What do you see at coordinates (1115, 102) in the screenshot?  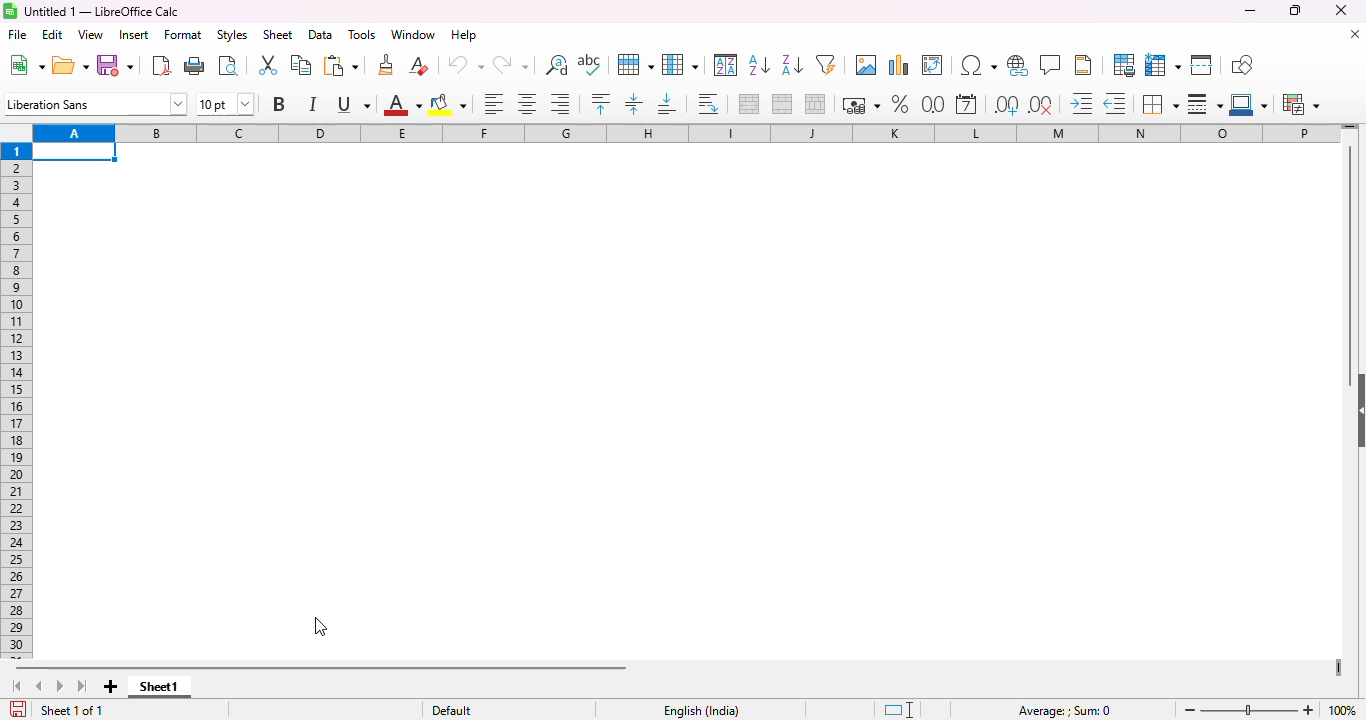 I see `decrease indent` at bounding box center [1115, 102].